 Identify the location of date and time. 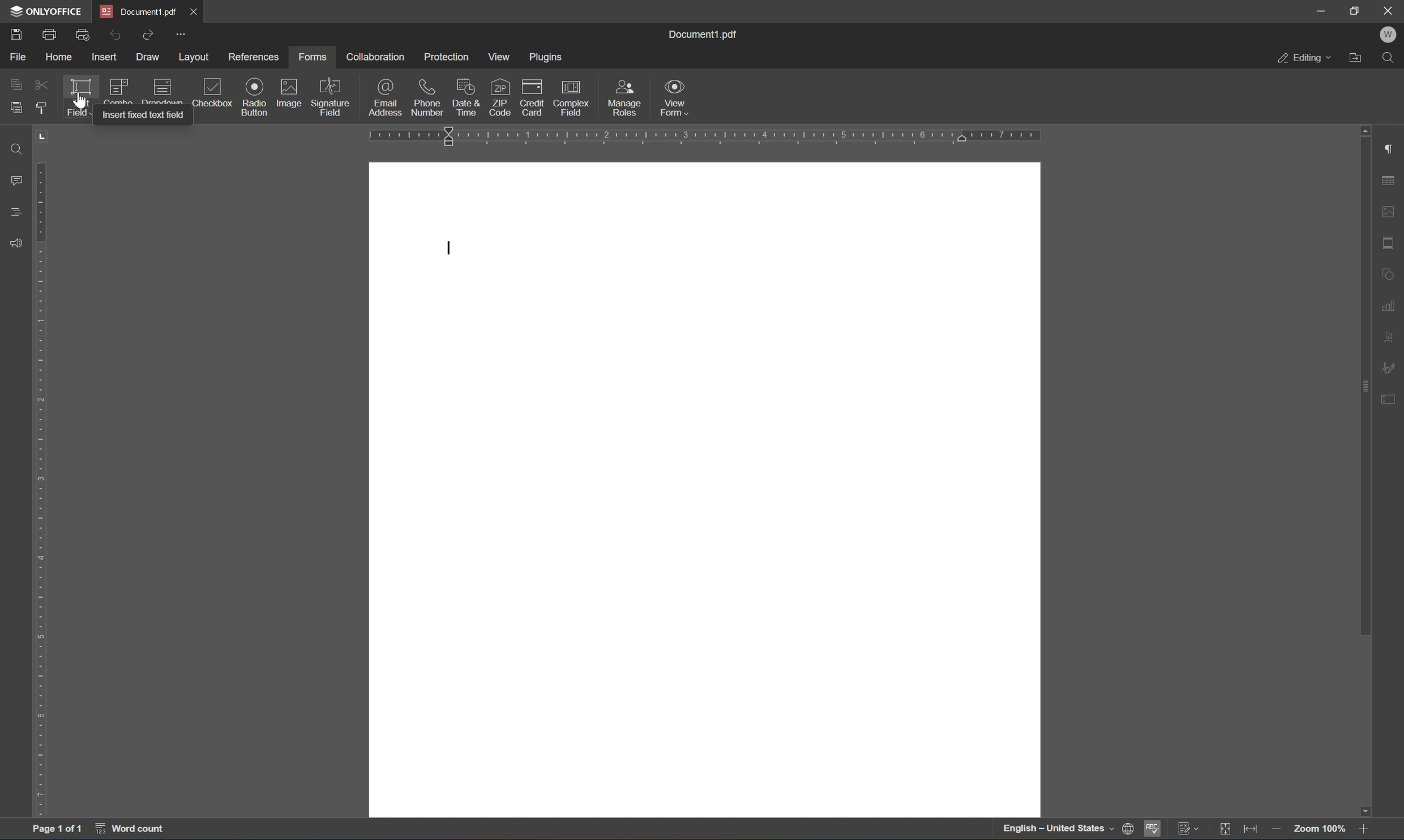
(464, 97).